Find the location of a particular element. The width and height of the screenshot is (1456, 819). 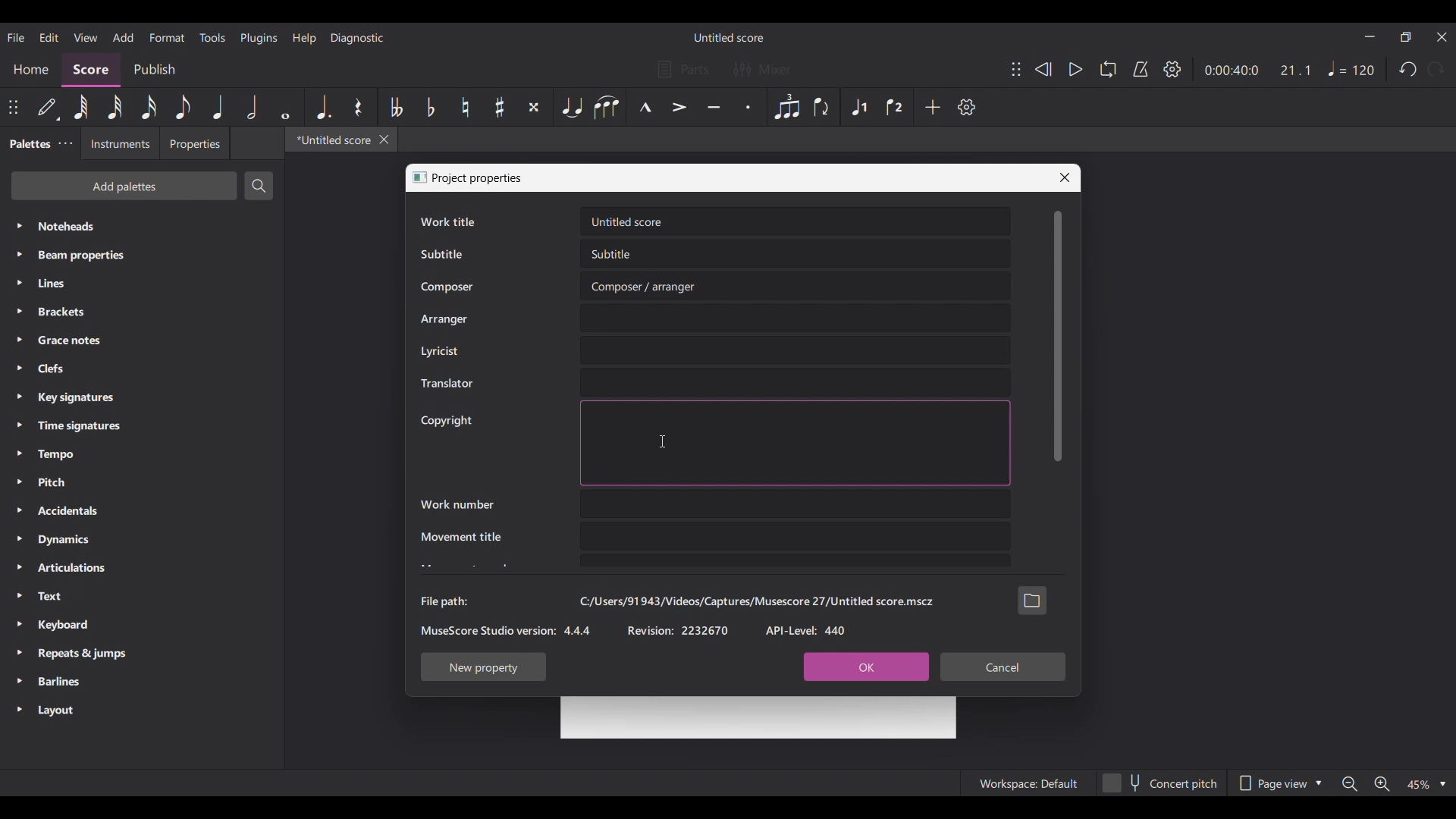

Time signatures is located at coordinates (141, 426).